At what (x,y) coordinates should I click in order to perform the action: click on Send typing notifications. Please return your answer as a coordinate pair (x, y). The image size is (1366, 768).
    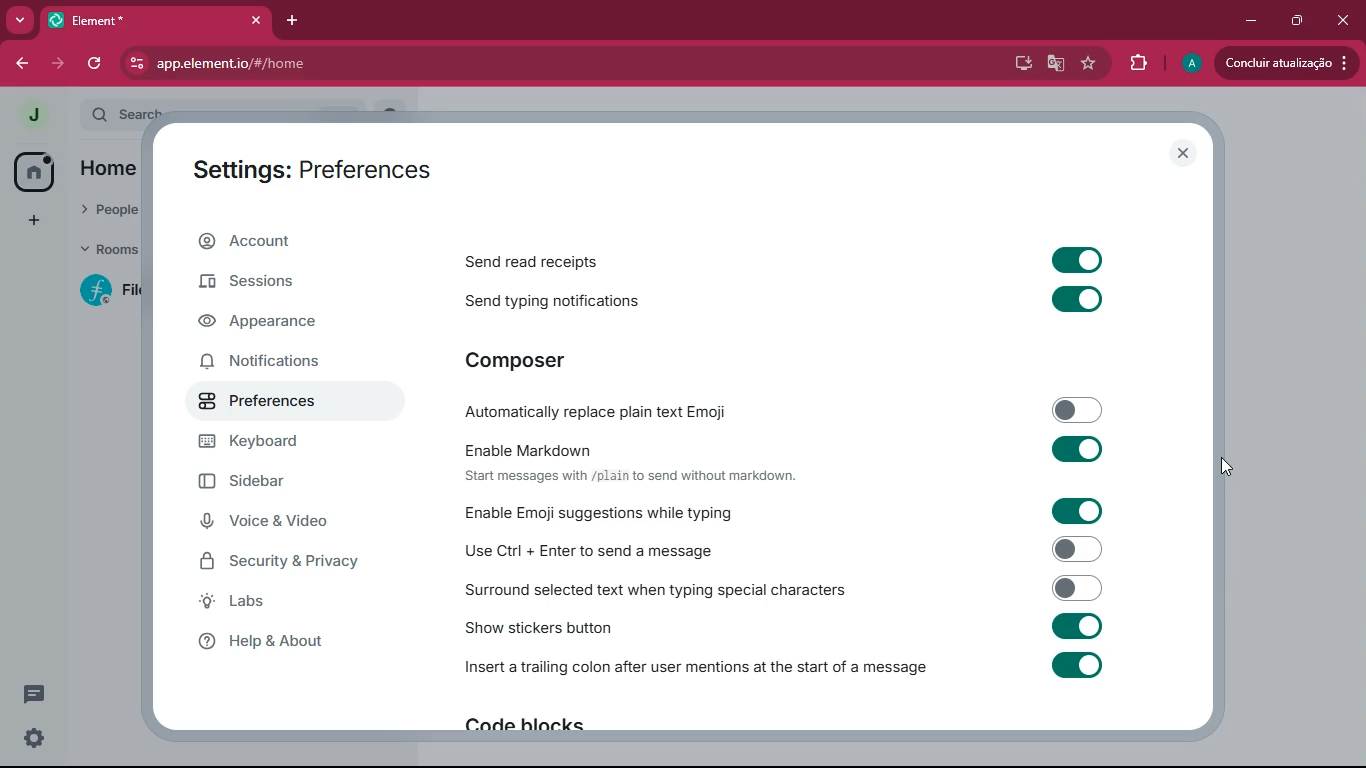
    Looking at the image, I should click on (794, 301).